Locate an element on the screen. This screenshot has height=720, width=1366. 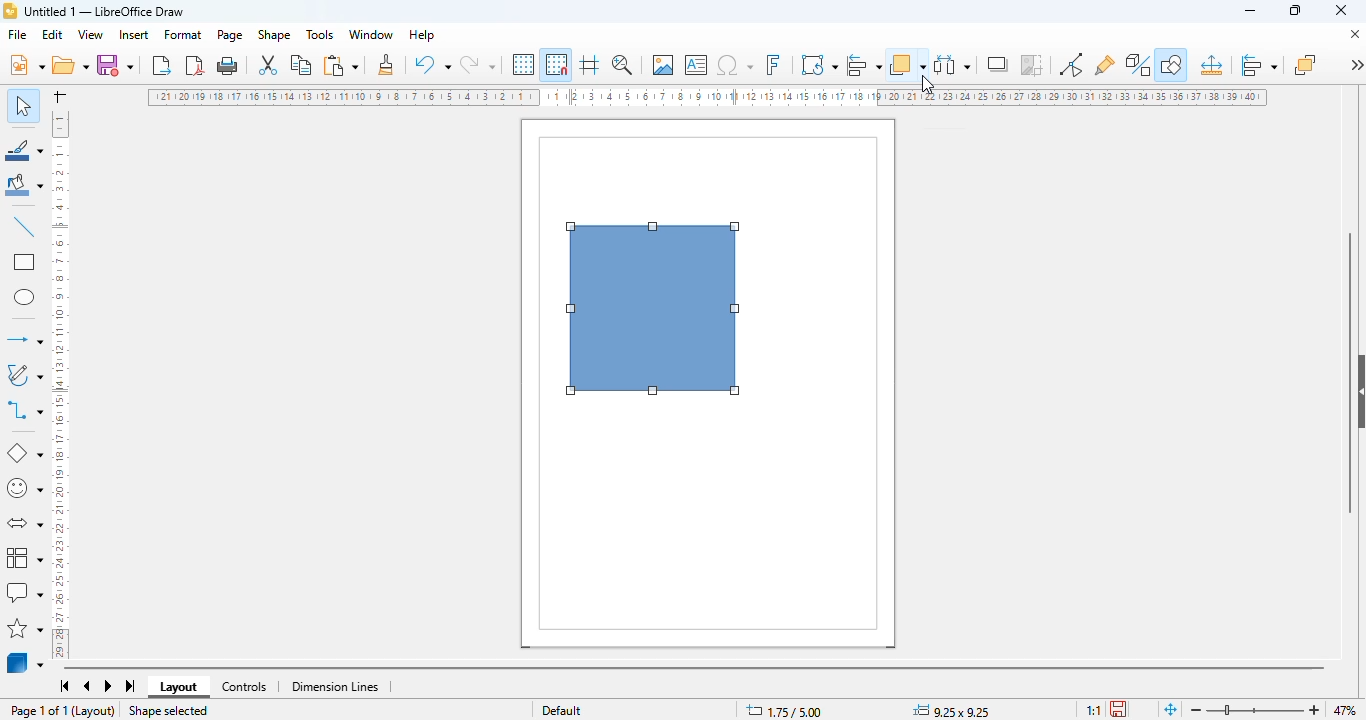
select at least three objects to distribute is located at coordinates (953, 64).